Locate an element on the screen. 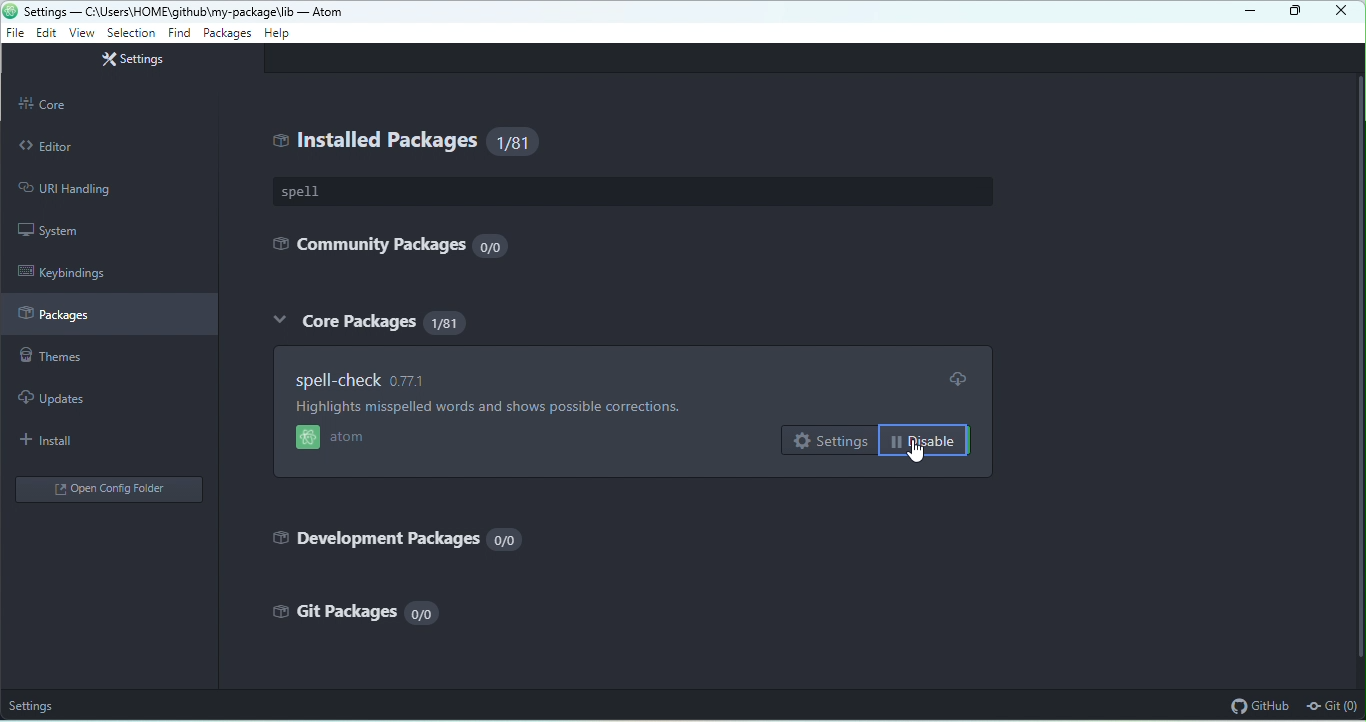 The image size is (1366, 722). disable is located at coordinates (926, 439).